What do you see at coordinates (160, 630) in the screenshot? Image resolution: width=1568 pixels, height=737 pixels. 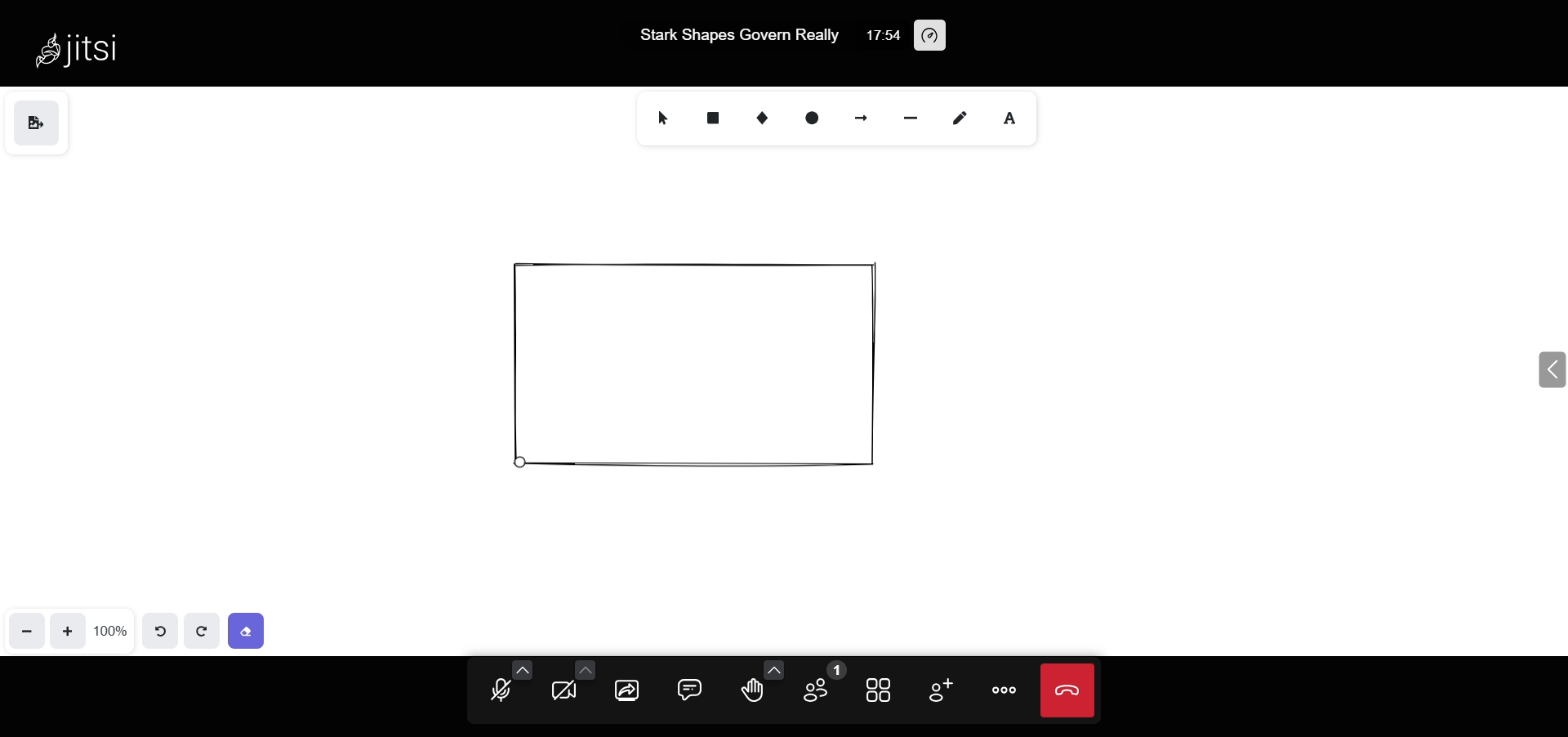 I see `undo` at bounding box center [160, 630].